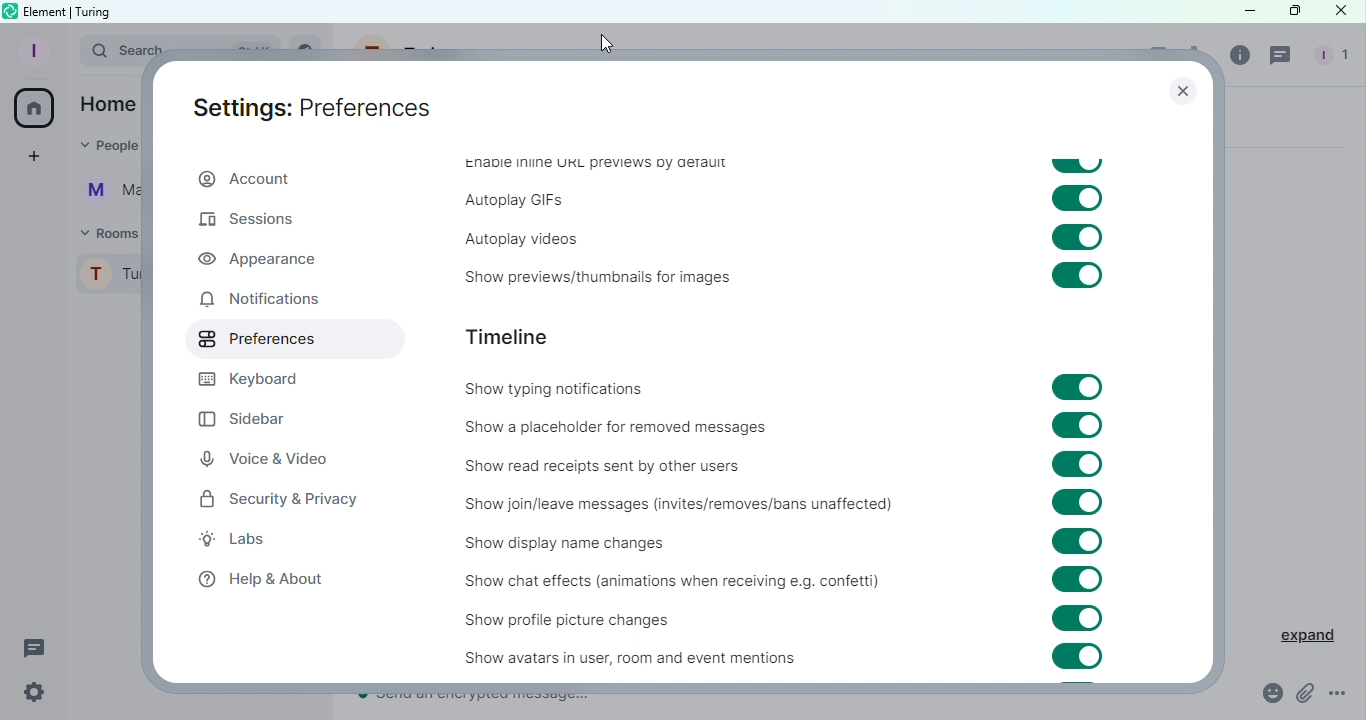 This screenshot has height=720, width=1366. I want to click on Toggle, so click(1079, 275).